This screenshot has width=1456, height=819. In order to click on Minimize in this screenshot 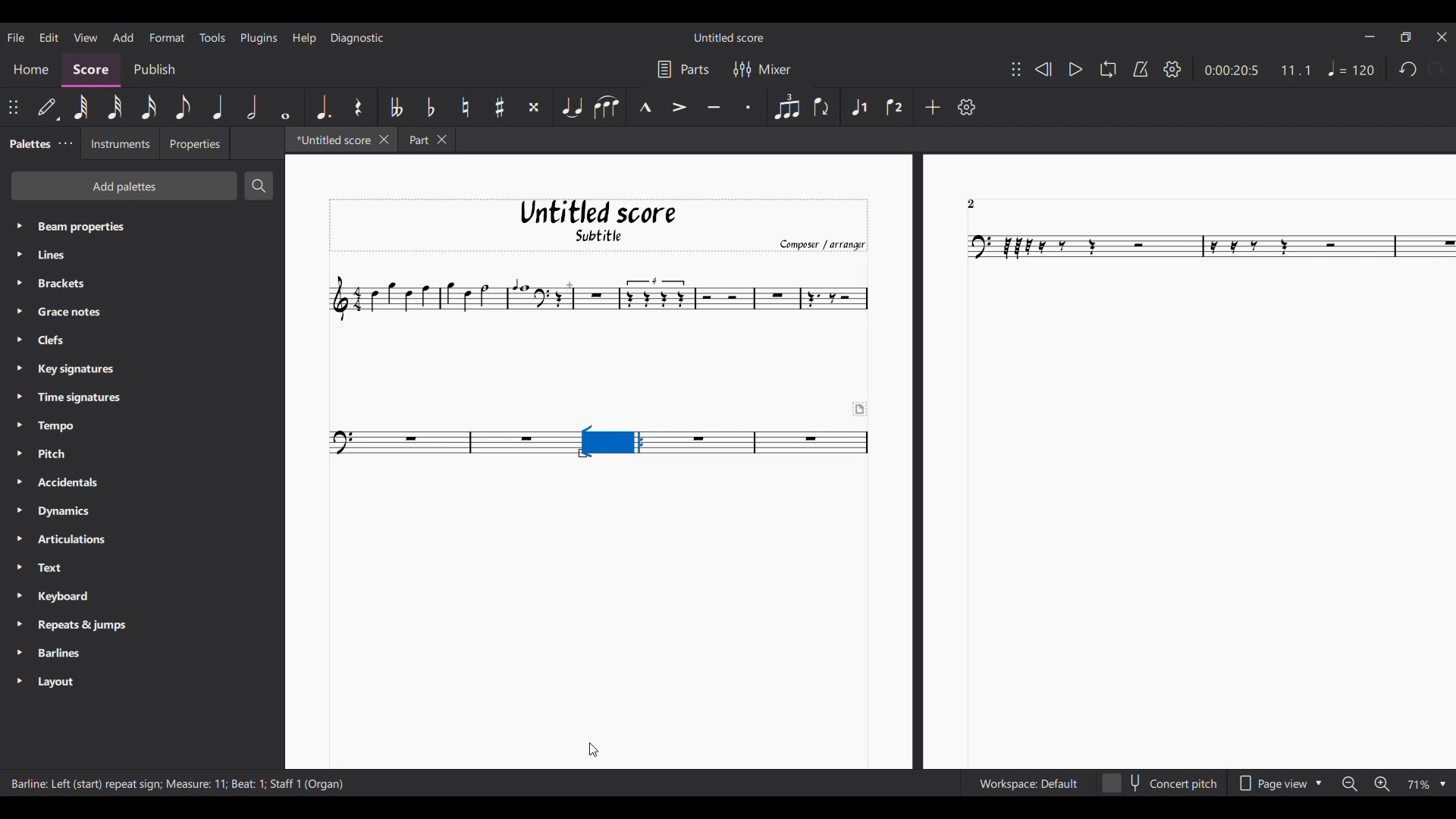, I will do `click(1370, 36)`.